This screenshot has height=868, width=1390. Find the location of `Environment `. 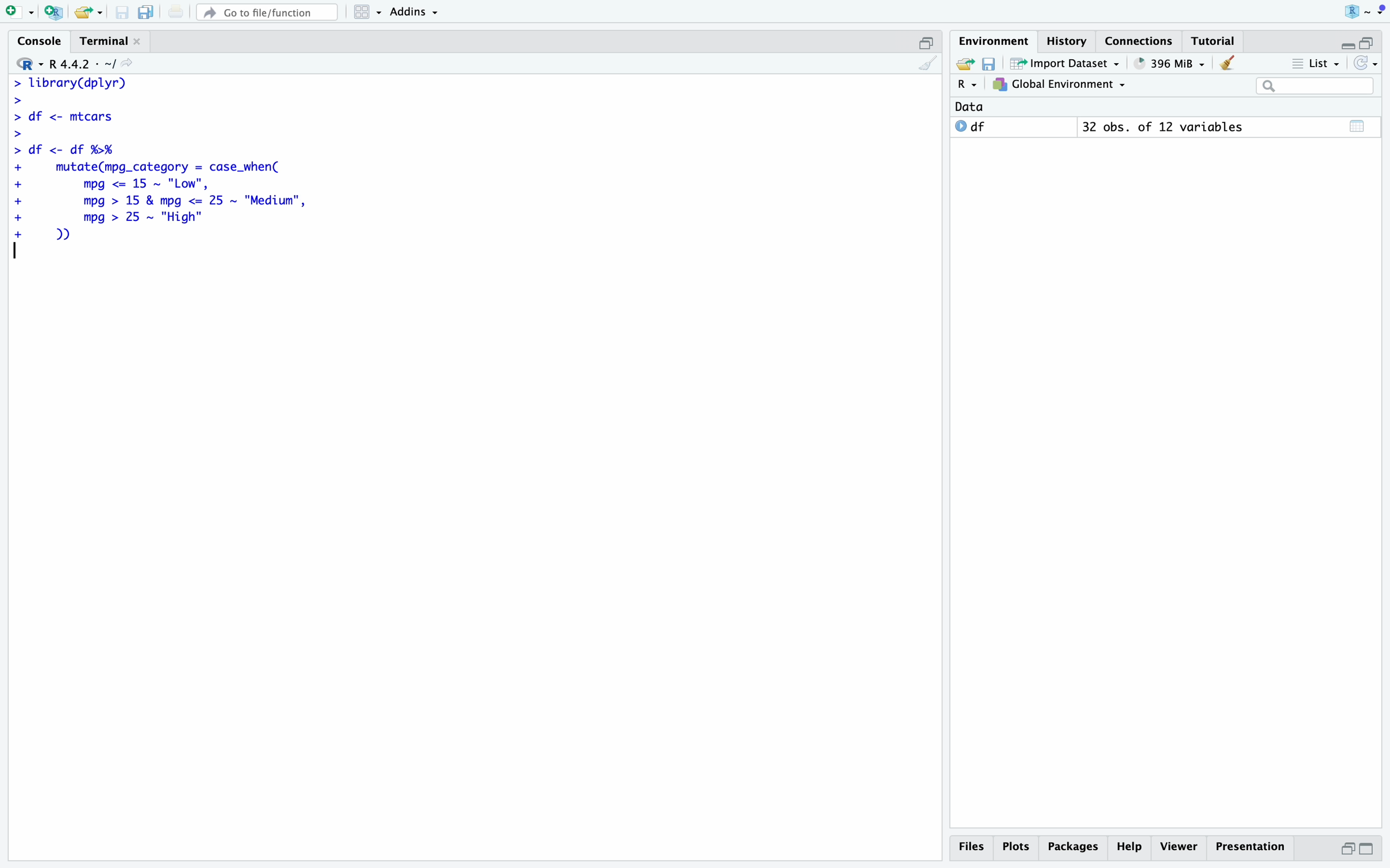

Environment  is located at coordinates (996, 41).